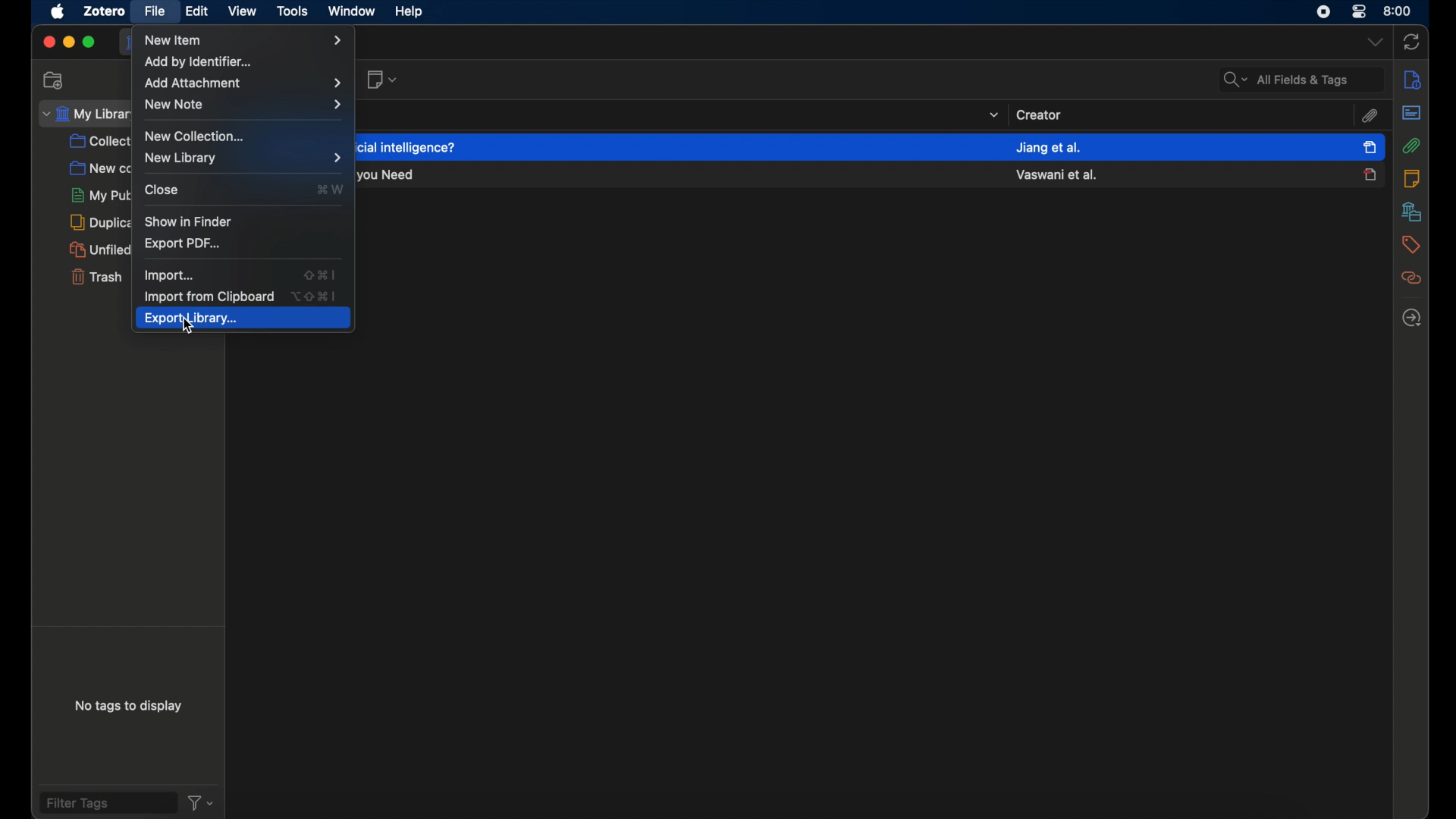  I want to click on import clipboard shortcut, so click(315, 295).